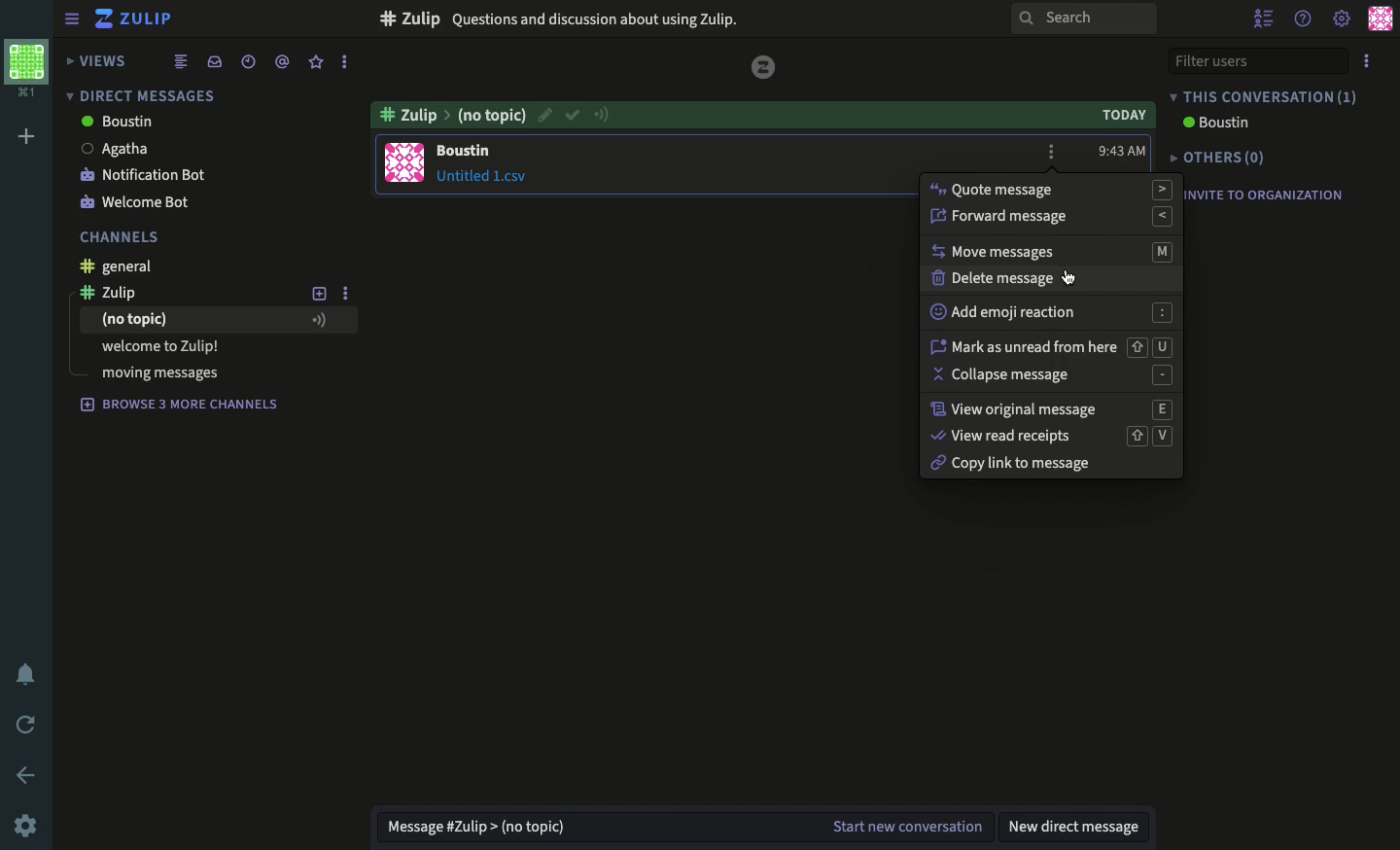  I want to click on Agatha, so click(149, 148).